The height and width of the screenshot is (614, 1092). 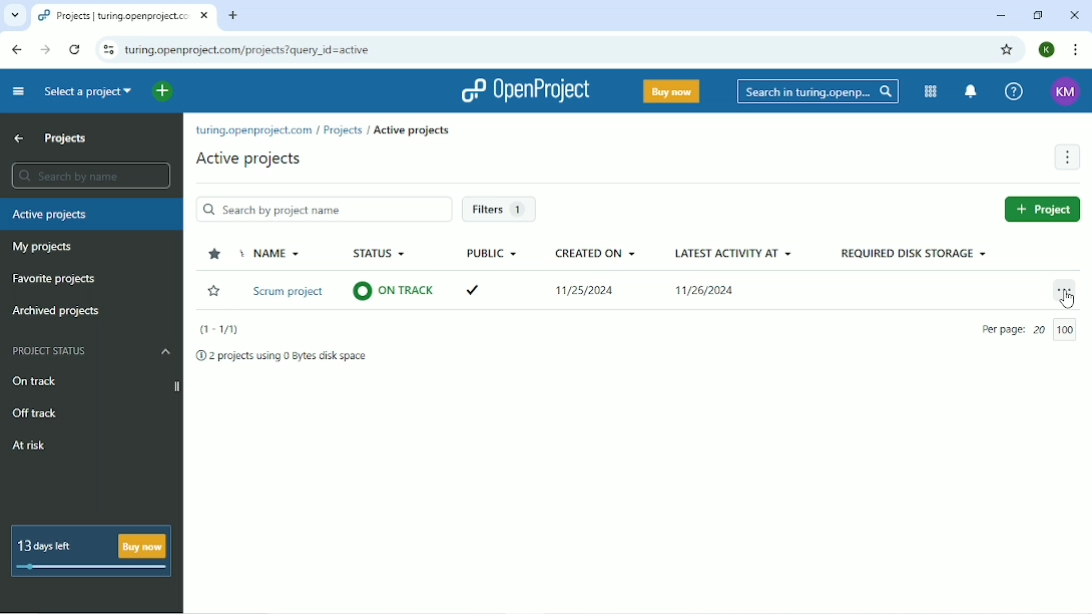 What do you see at coordinates (1072, 50) in the screenshot?
I see `Customize and control google chrome` at bounding box center [1072, 50].